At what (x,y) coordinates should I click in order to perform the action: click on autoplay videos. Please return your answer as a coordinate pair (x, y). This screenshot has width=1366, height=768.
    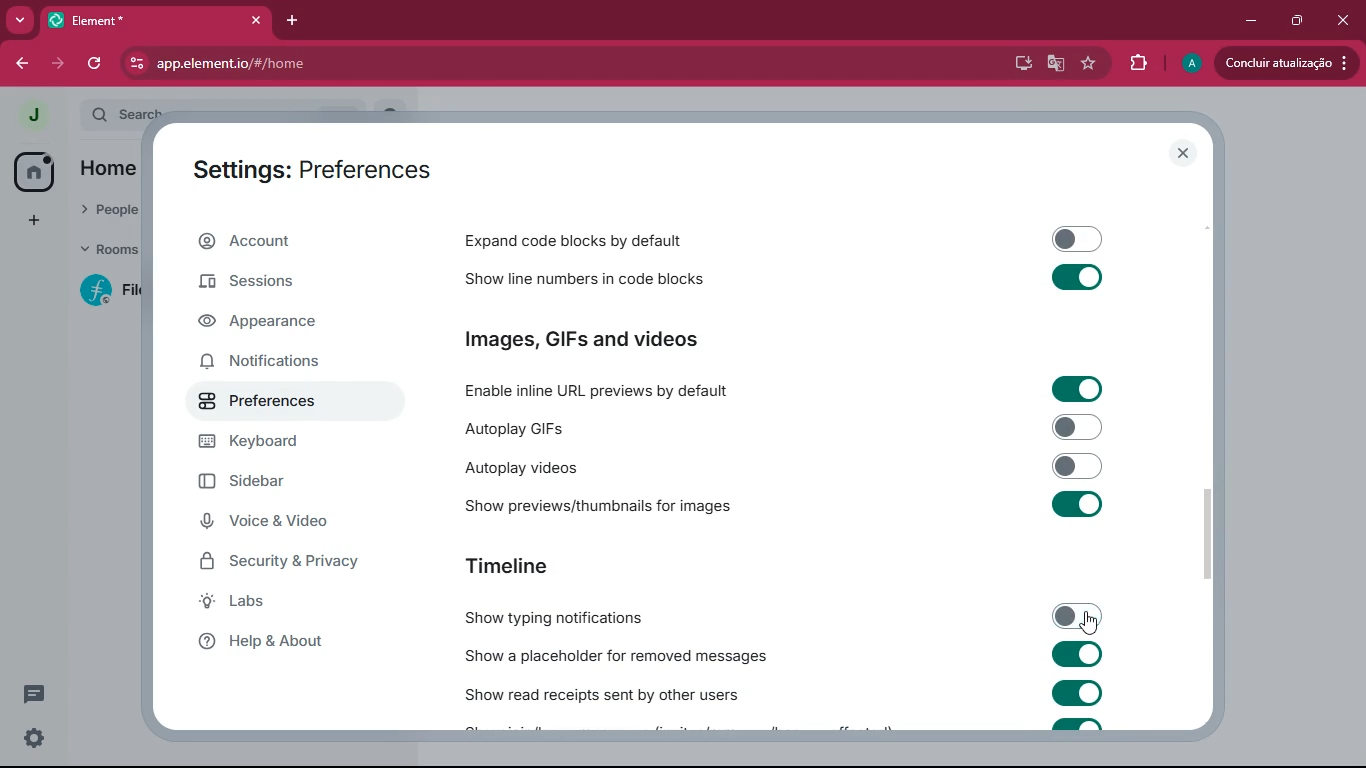
    Looking at the image, I should click on (552, 468).